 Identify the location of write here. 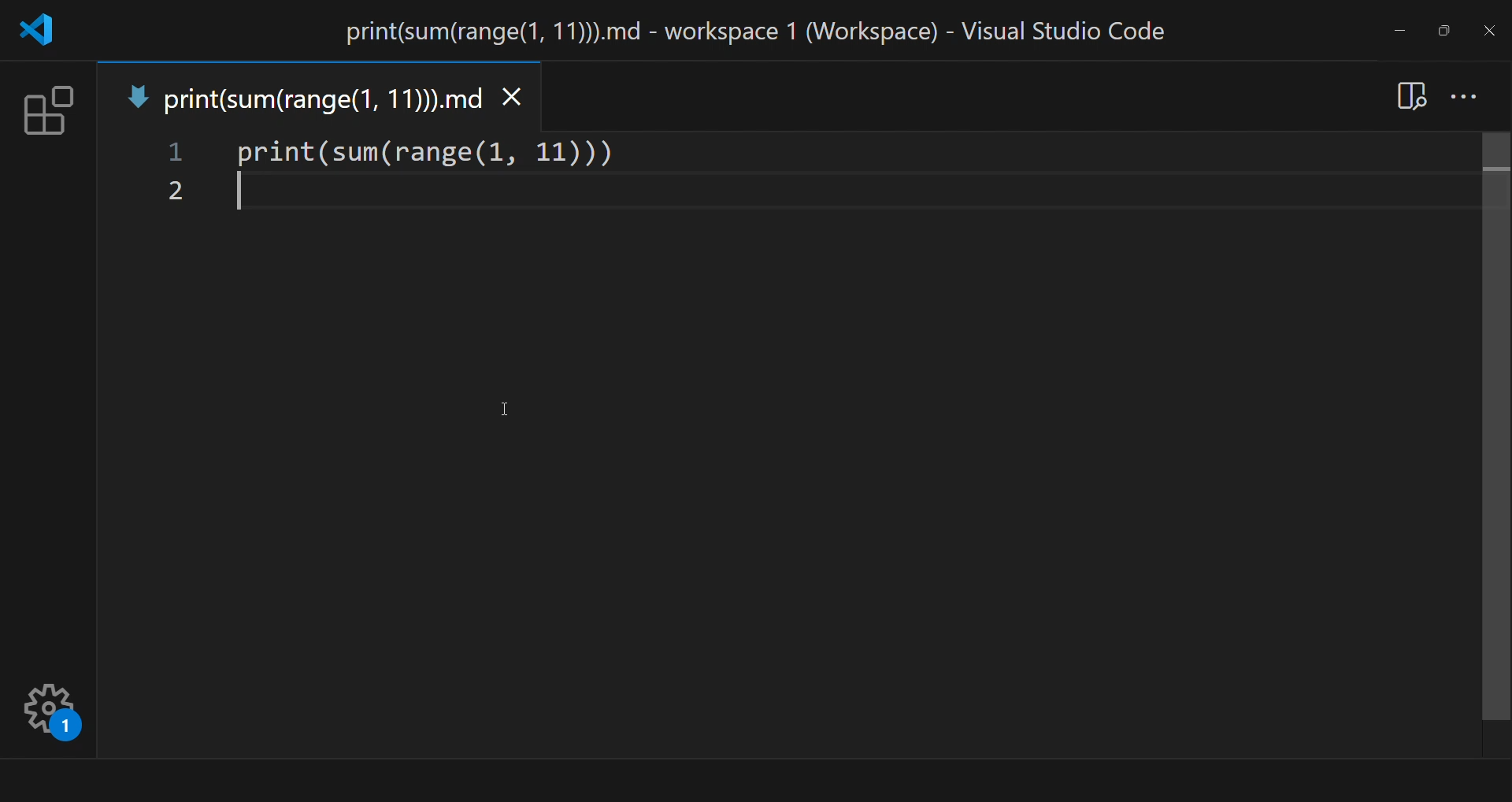
(244, 197).